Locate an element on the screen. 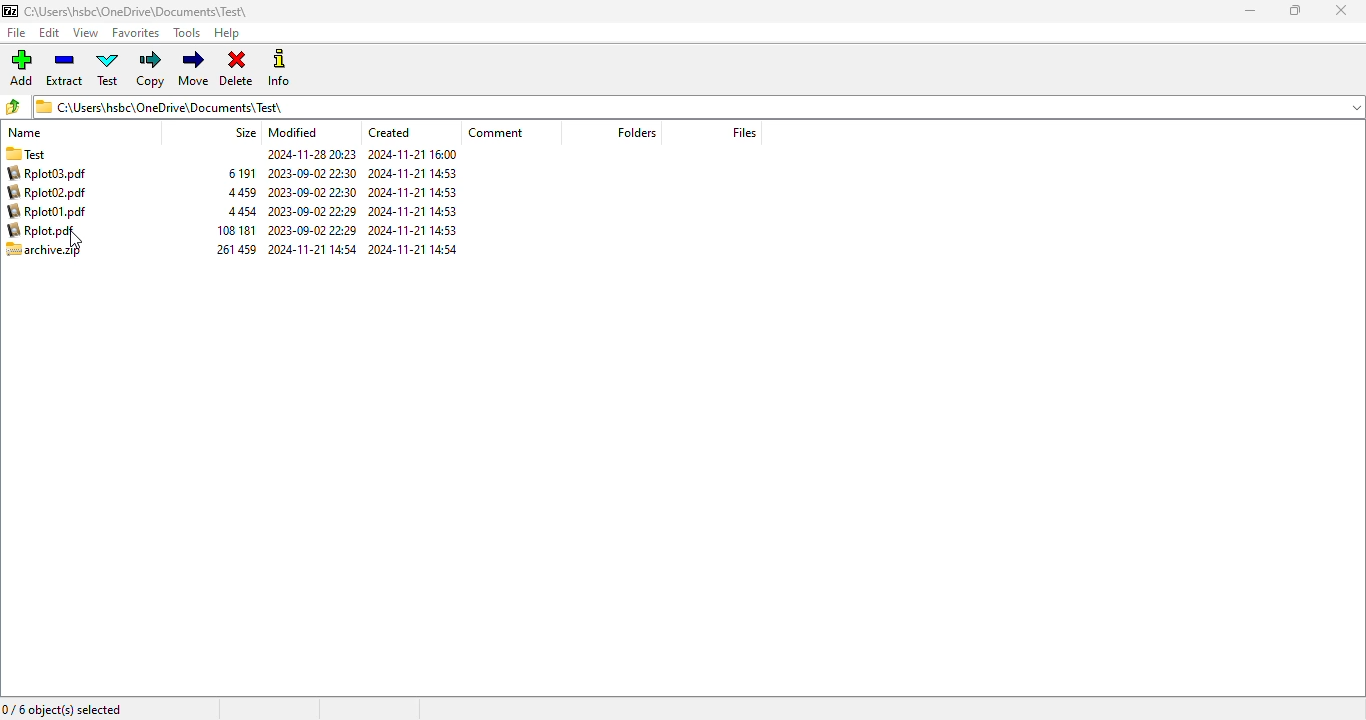  minimize is located at coordinates (1252, 11).